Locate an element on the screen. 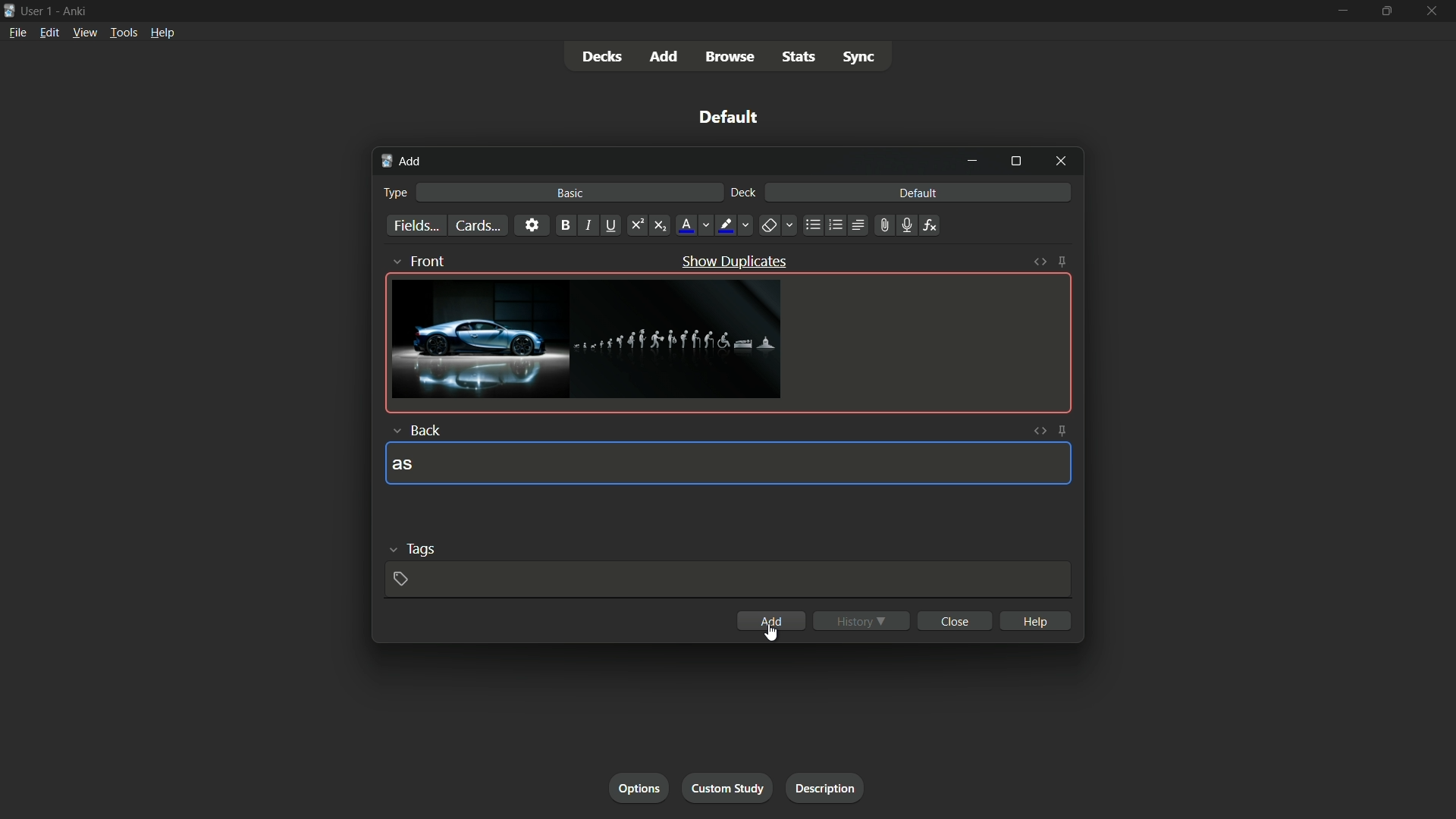  maximize is located at coordinates (1015, 162).